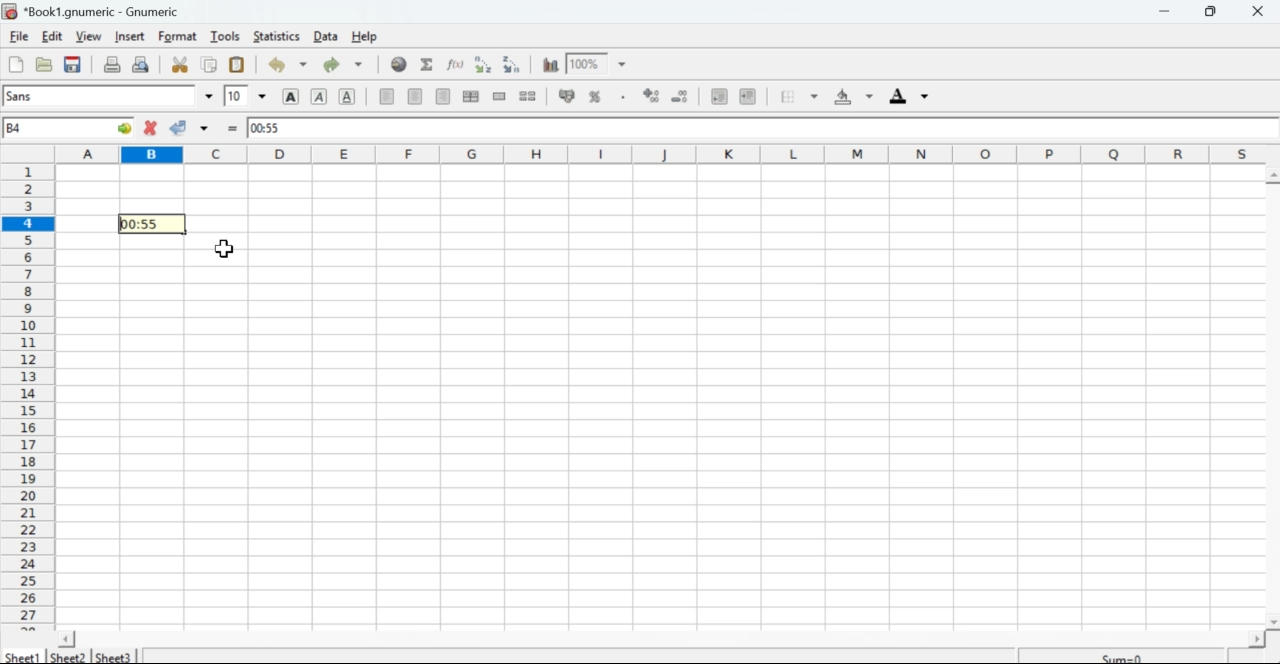 The height and width of the screenshot is (664, 1280). I want to click on Paste, so click(238, 66).